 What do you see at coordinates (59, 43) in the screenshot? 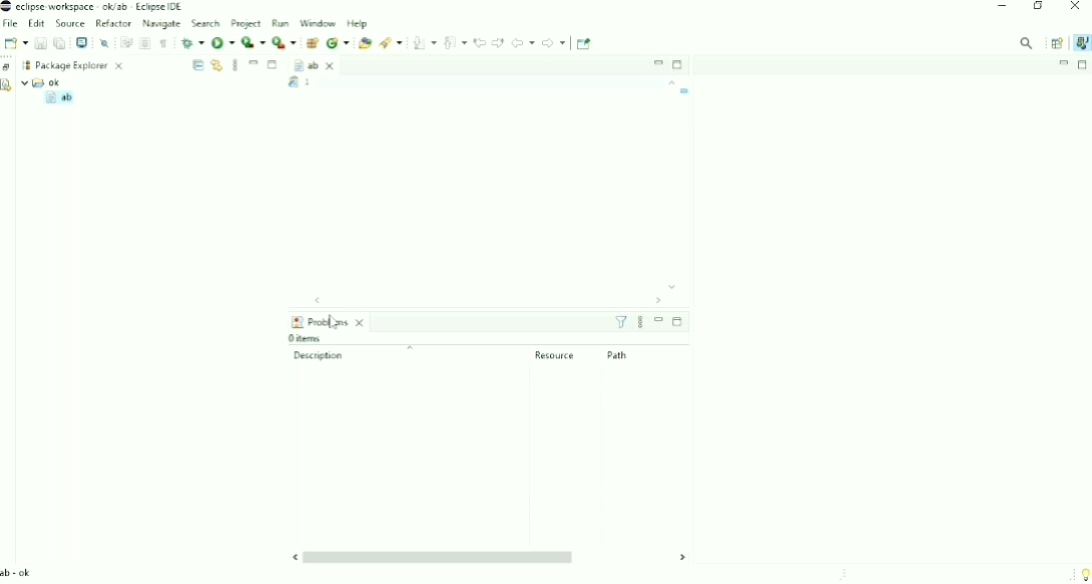
I see `Save All` at bounding box center [59, 43].